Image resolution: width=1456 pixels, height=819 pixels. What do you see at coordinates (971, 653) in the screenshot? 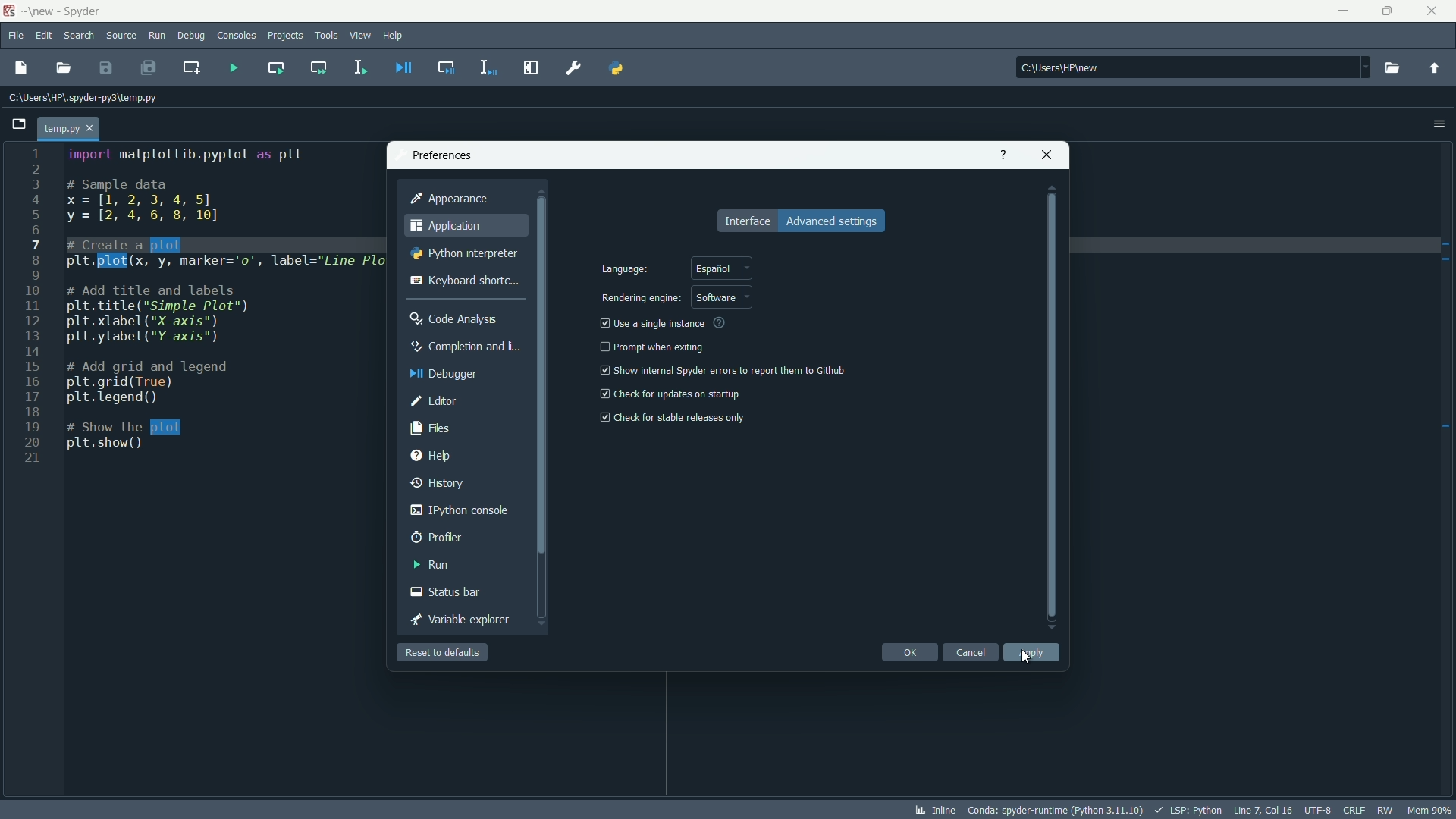
I see `cancel` at bounding box center [971, 653].